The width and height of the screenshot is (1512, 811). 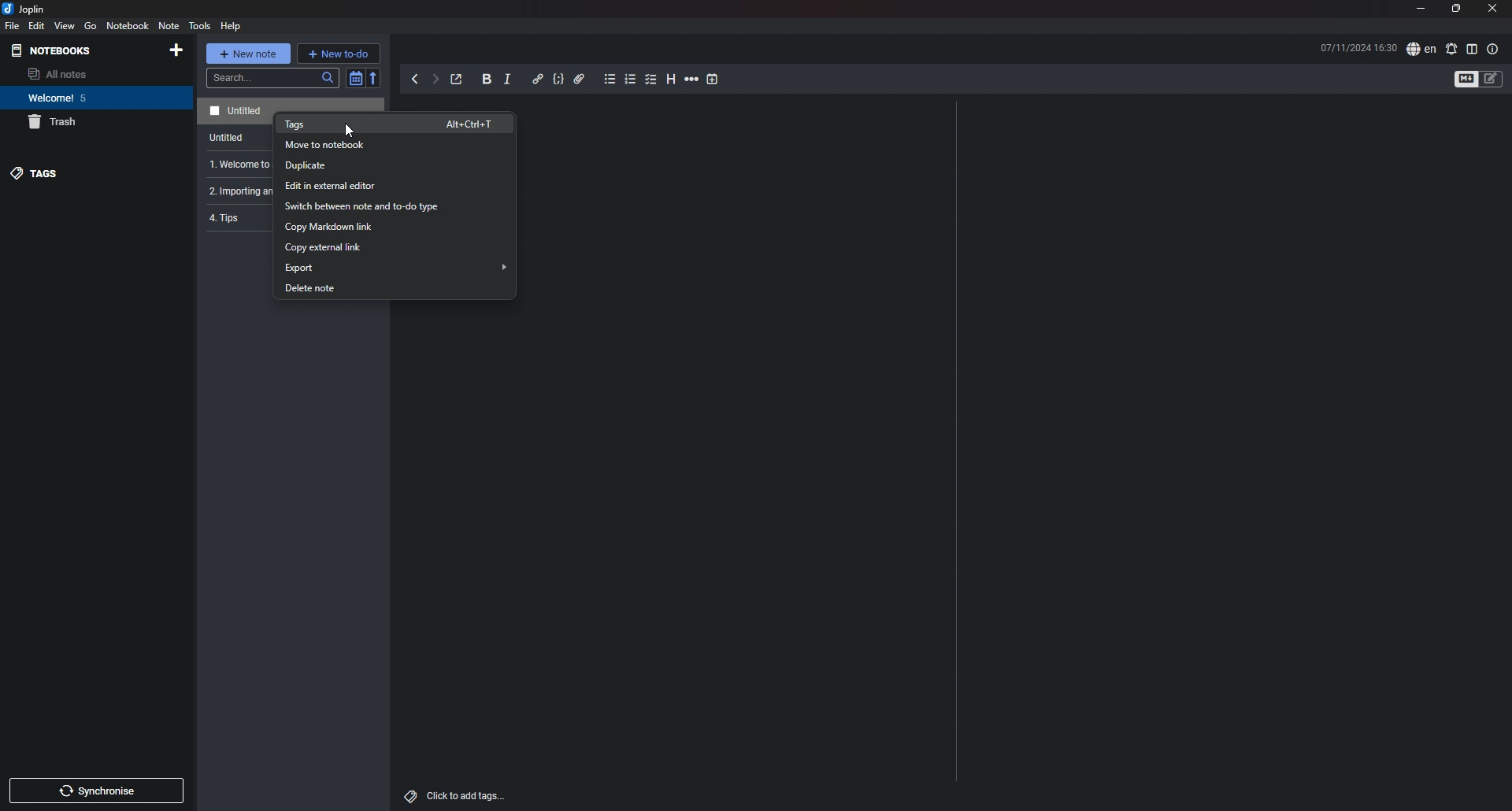 What do you see at coordinates (65, 26) in the screenshot?
I see `view` at bounding box center [65, 26].